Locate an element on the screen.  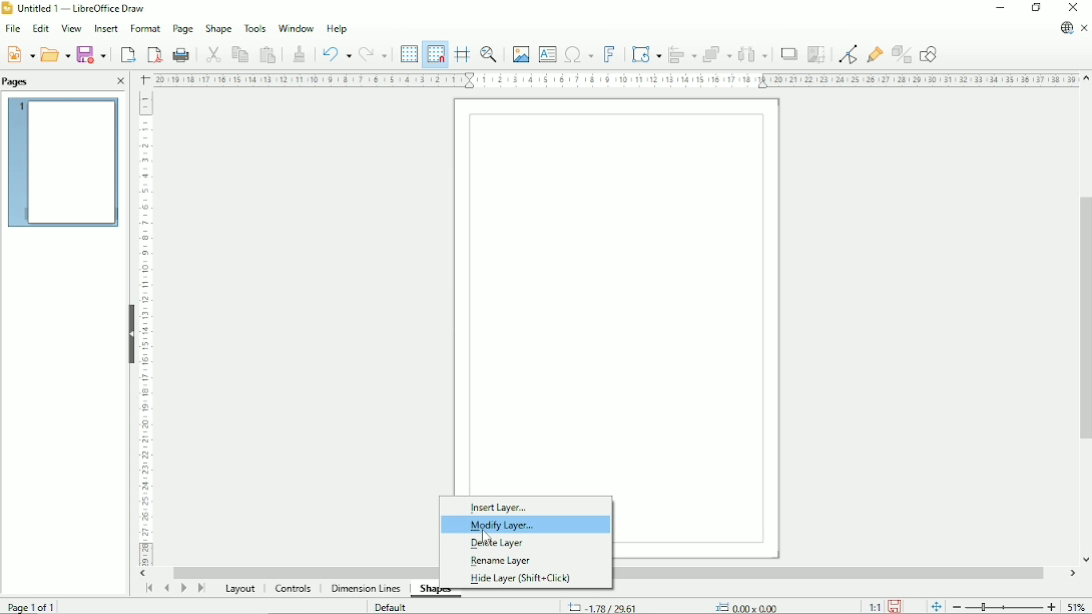
Vertical scrollbar is located at coordinates (1085, 318).